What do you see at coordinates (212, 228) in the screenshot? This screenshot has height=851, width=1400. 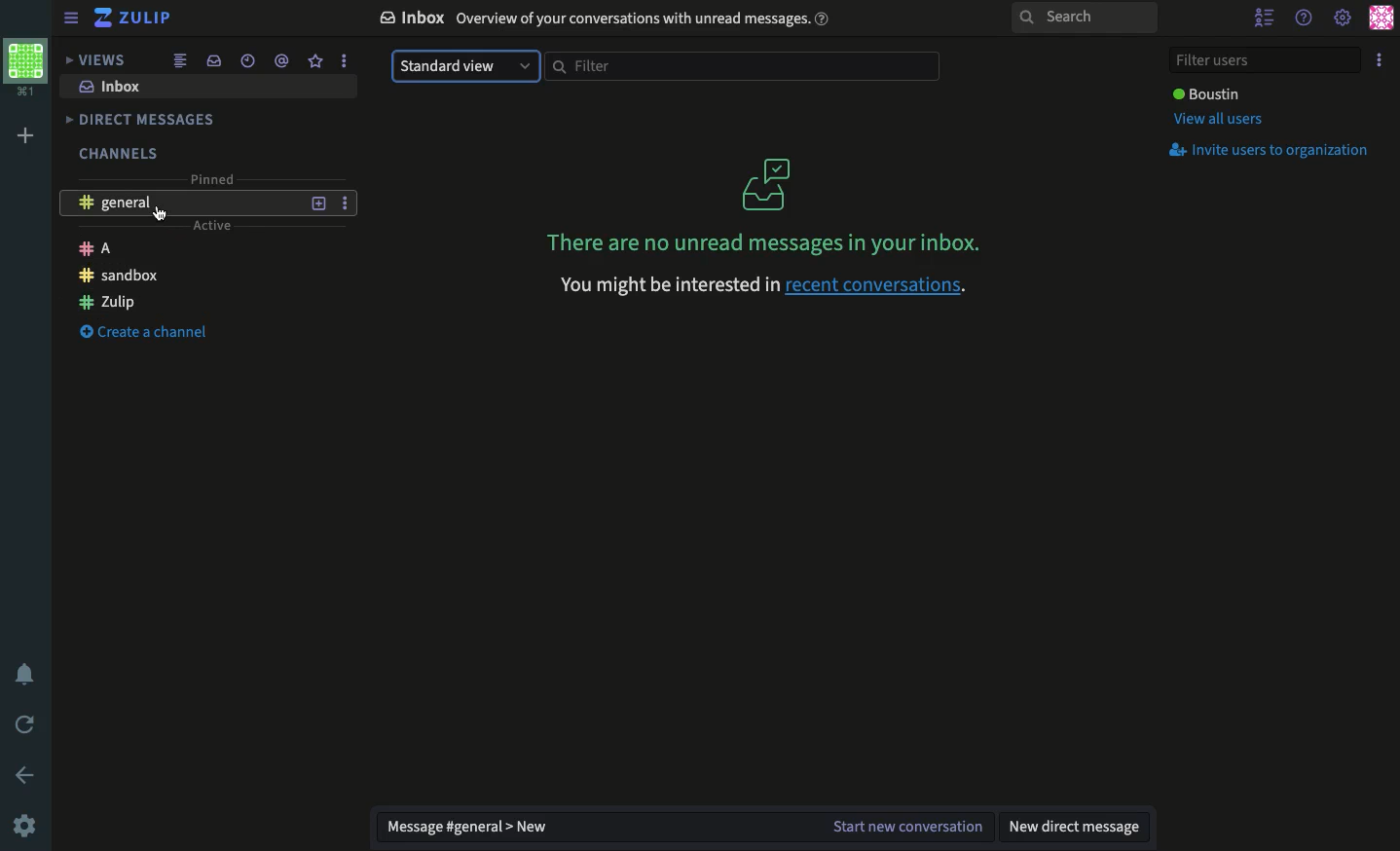 I see `Active` at bounding box center [212, 228].